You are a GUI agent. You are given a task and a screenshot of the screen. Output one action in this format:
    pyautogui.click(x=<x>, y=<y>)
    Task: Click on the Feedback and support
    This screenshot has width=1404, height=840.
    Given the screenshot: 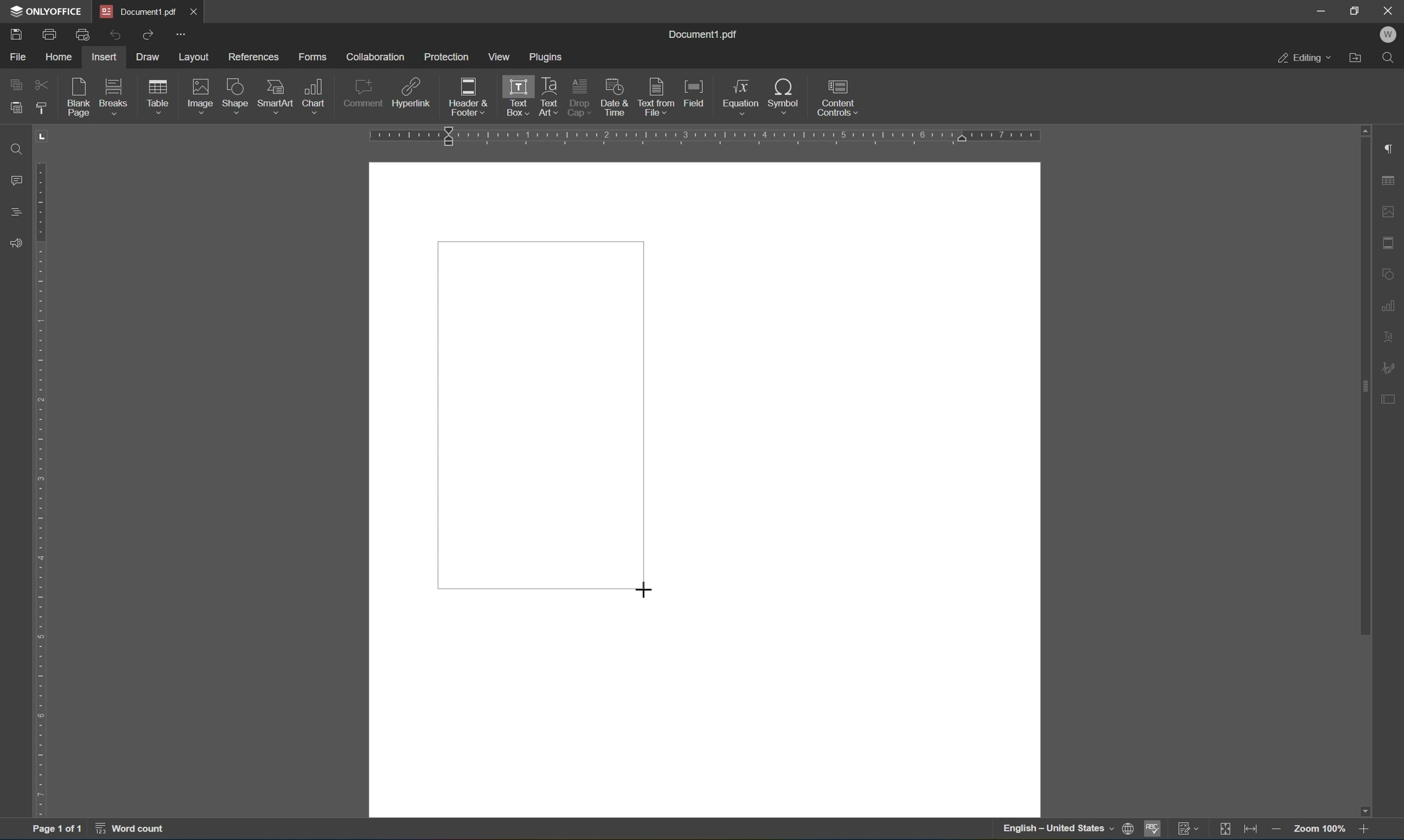 What is the action you would take?
    pyautogui.click(x=14, y=243)
    